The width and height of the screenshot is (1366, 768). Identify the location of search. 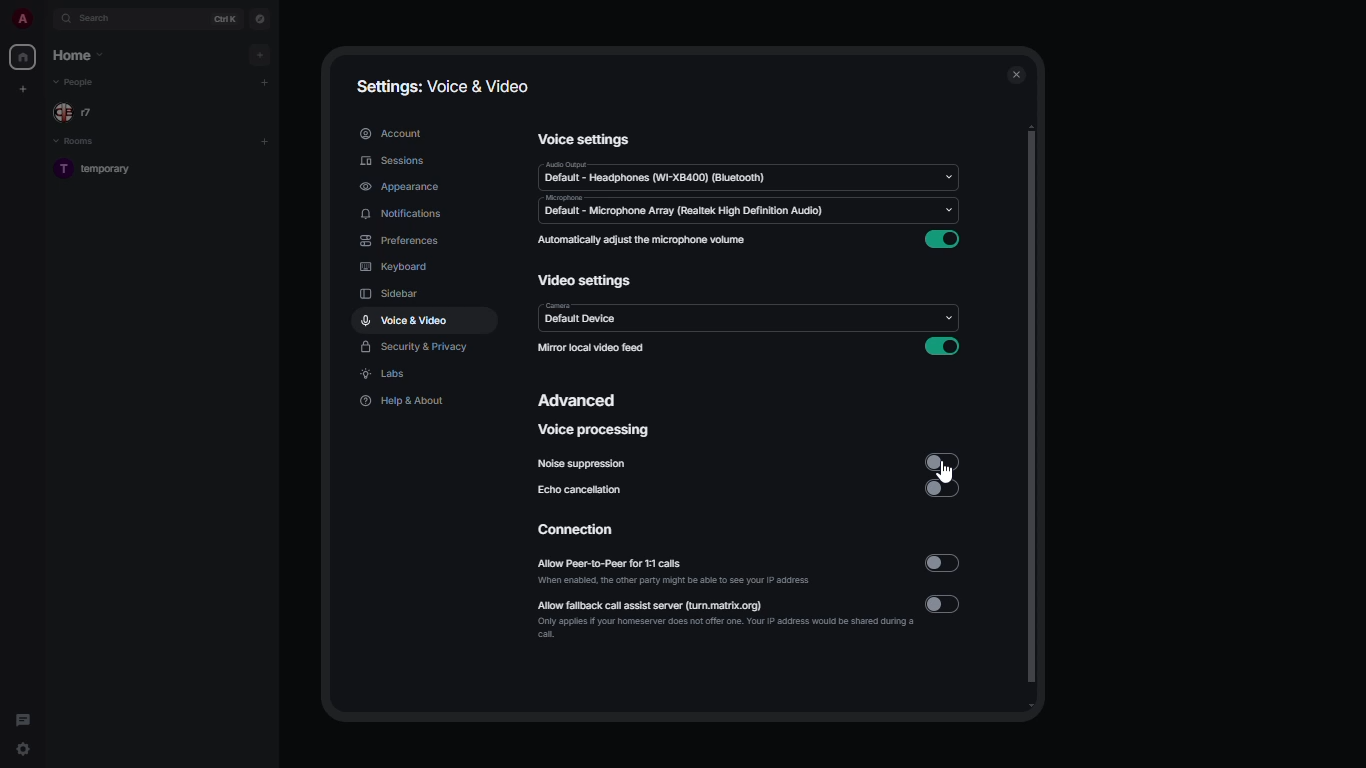
(98, 19).